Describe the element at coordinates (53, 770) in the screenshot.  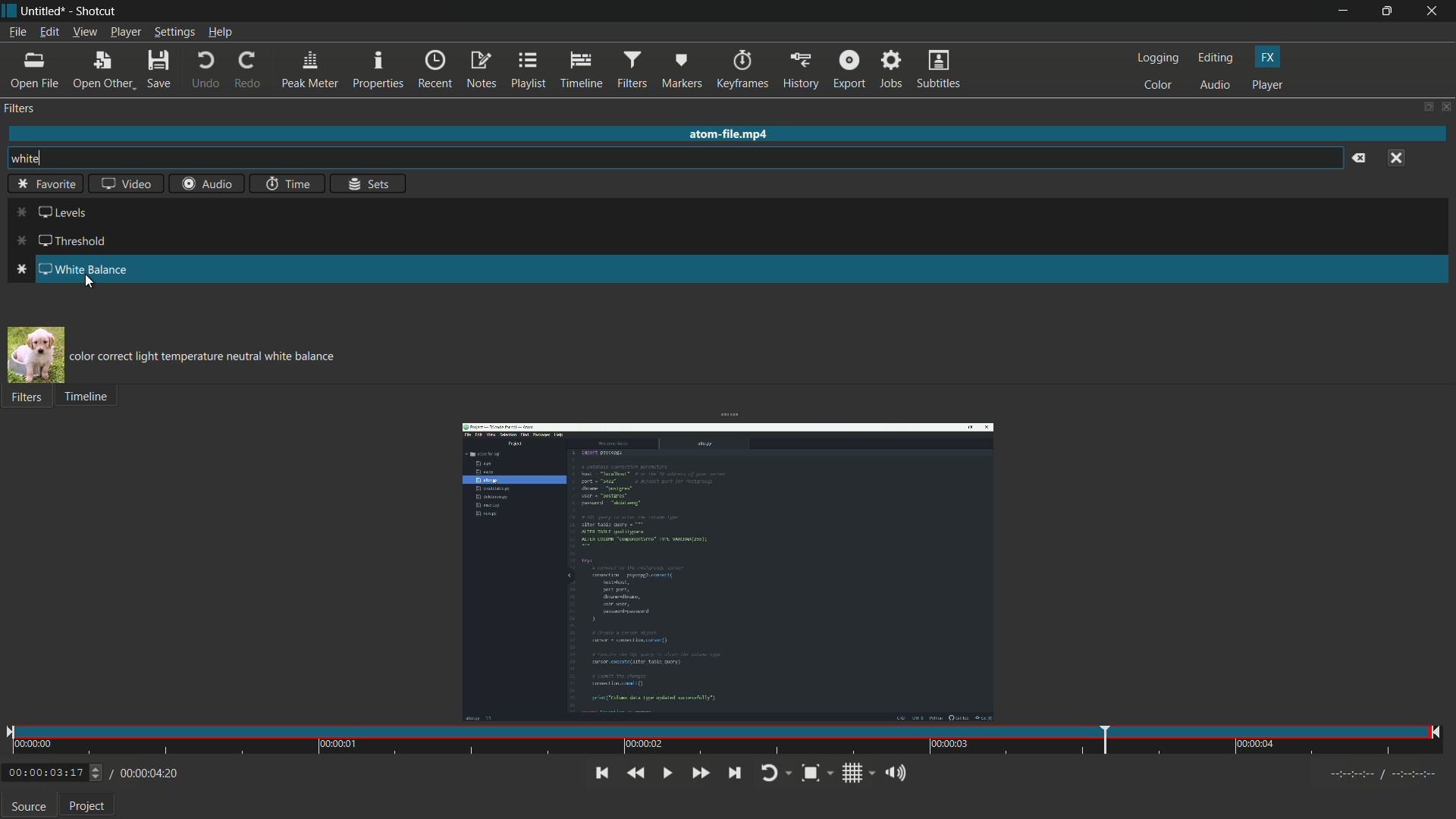
I see `0:00:03:17 (current time)` at that location.